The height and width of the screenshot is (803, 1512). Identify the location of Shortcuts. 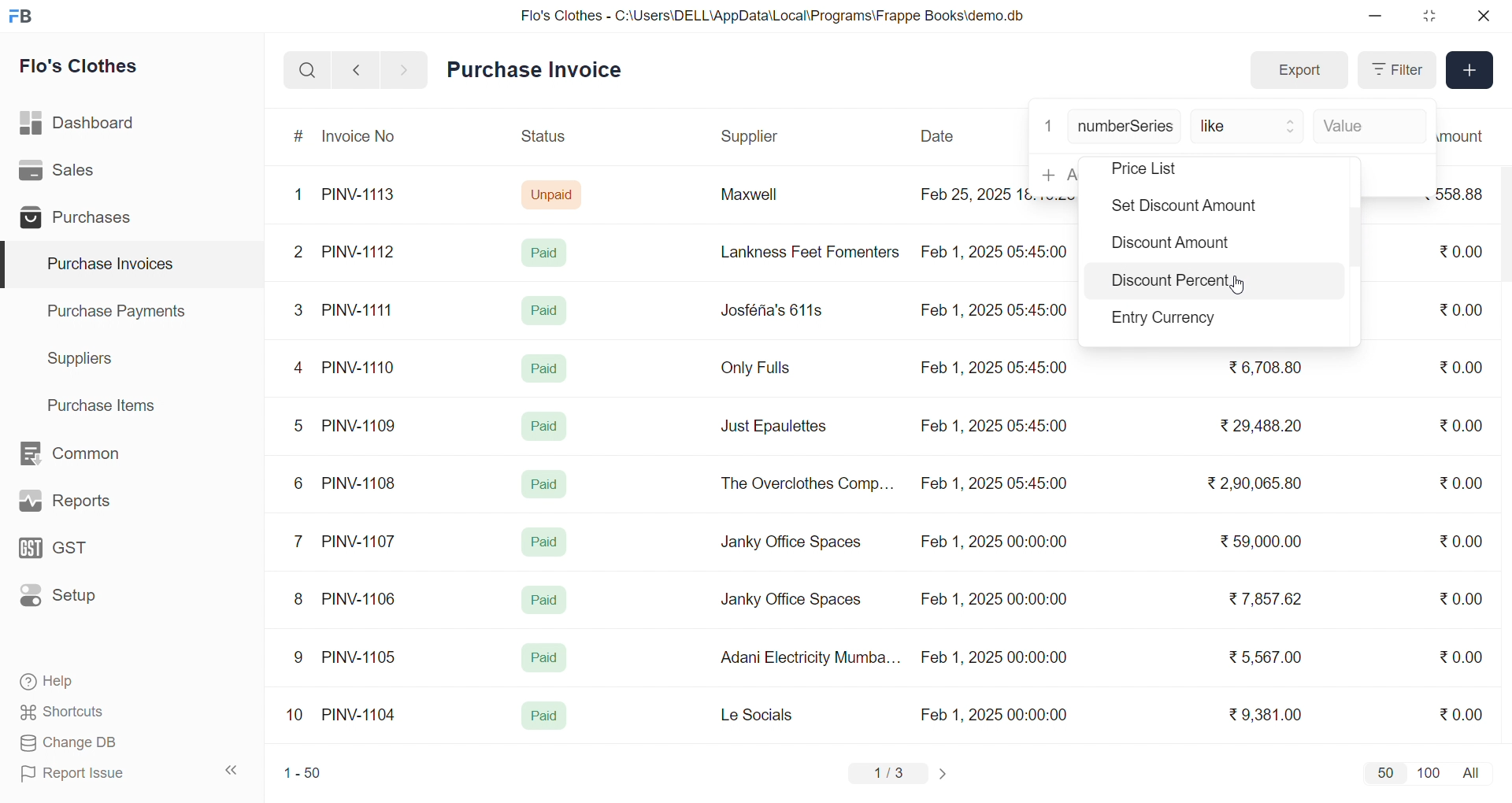
(99, 712).